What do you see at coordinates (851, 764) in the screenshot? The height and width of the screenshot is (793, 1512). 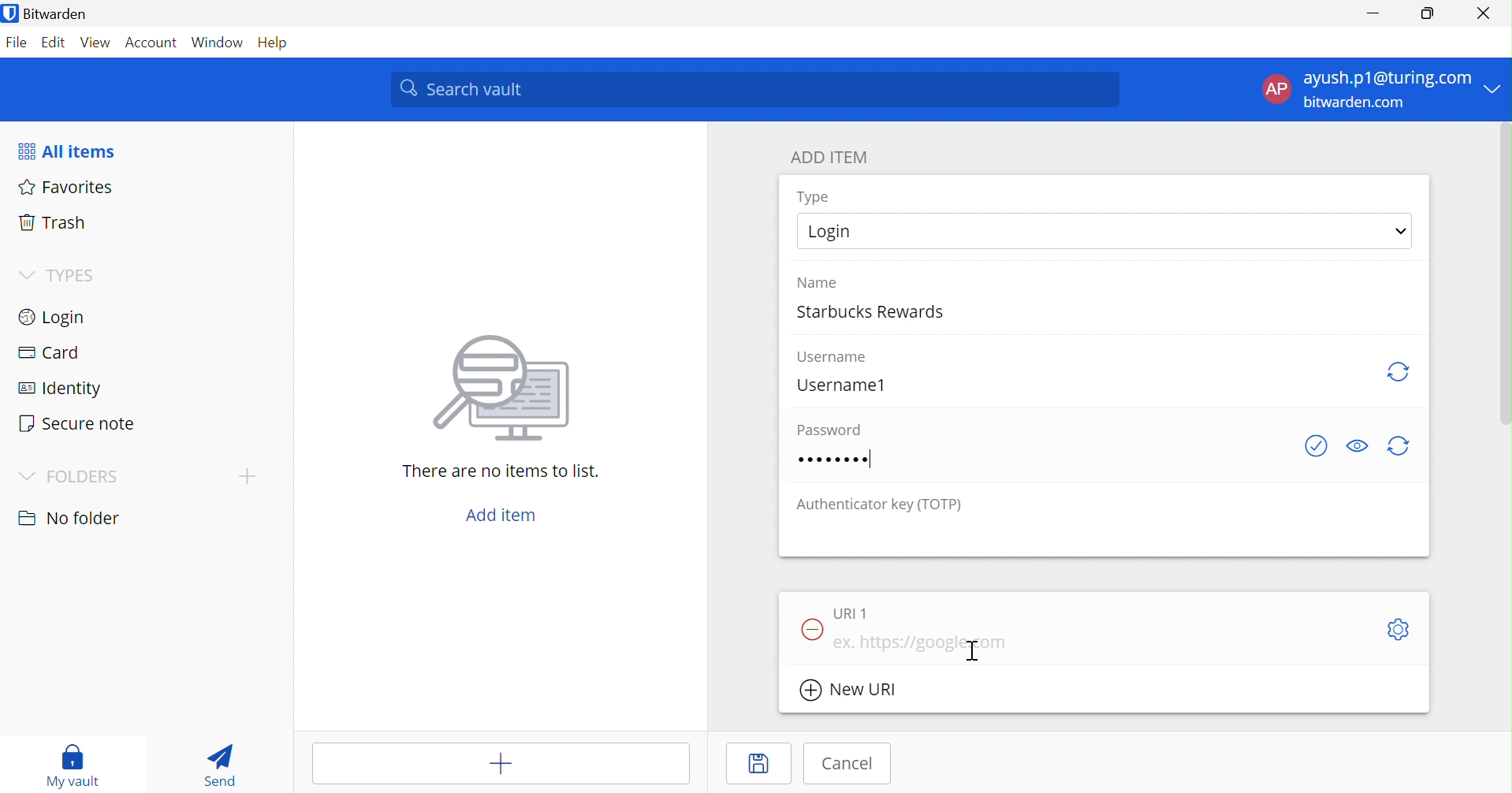 I see `Cancel` at bounding box center [851, 764].